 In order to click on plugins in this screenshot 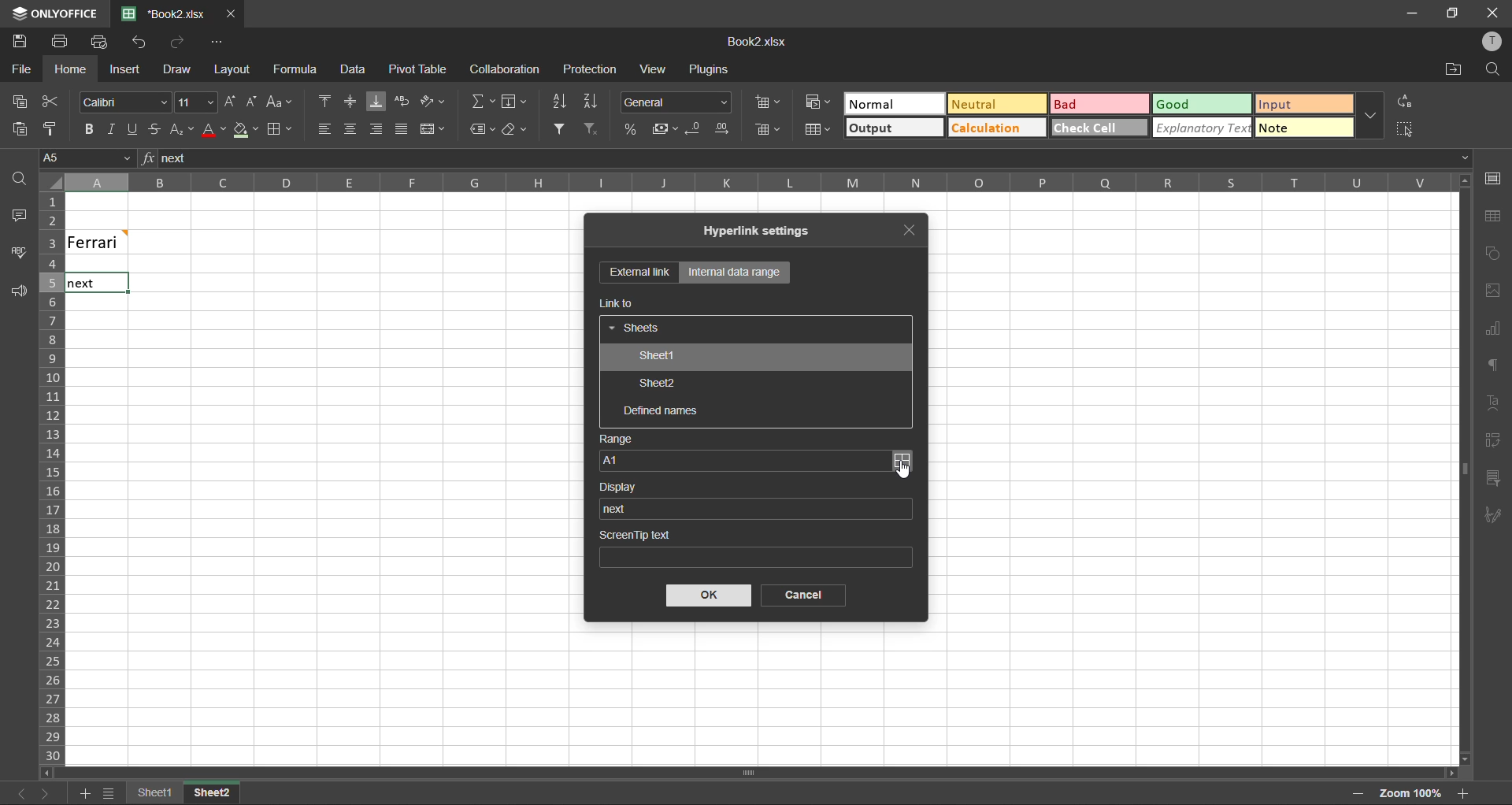, I will do `click(710, 72)`.